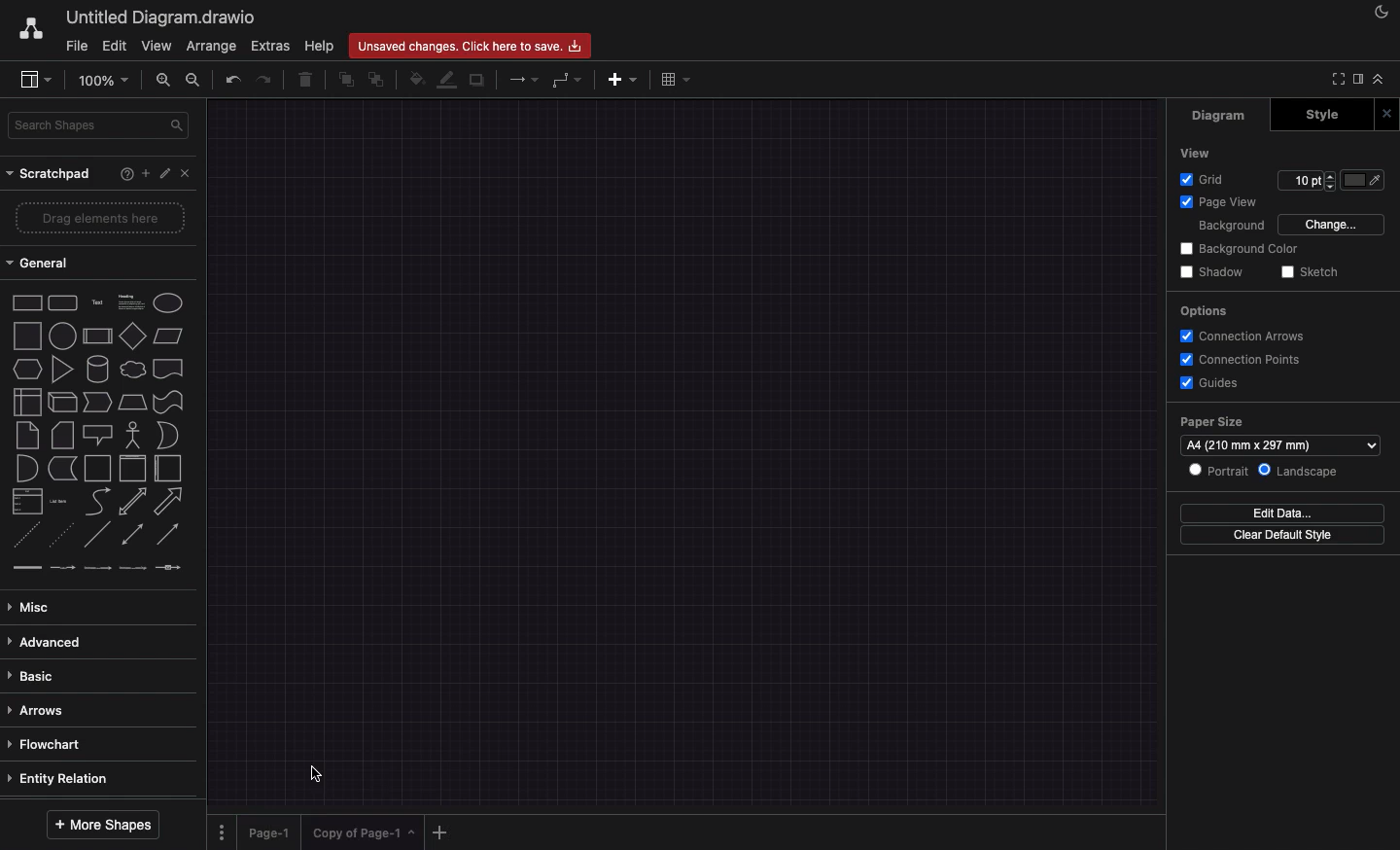  Describe the element at coordinates (268, 832) in the screenshot. I see `page 1` at that location.